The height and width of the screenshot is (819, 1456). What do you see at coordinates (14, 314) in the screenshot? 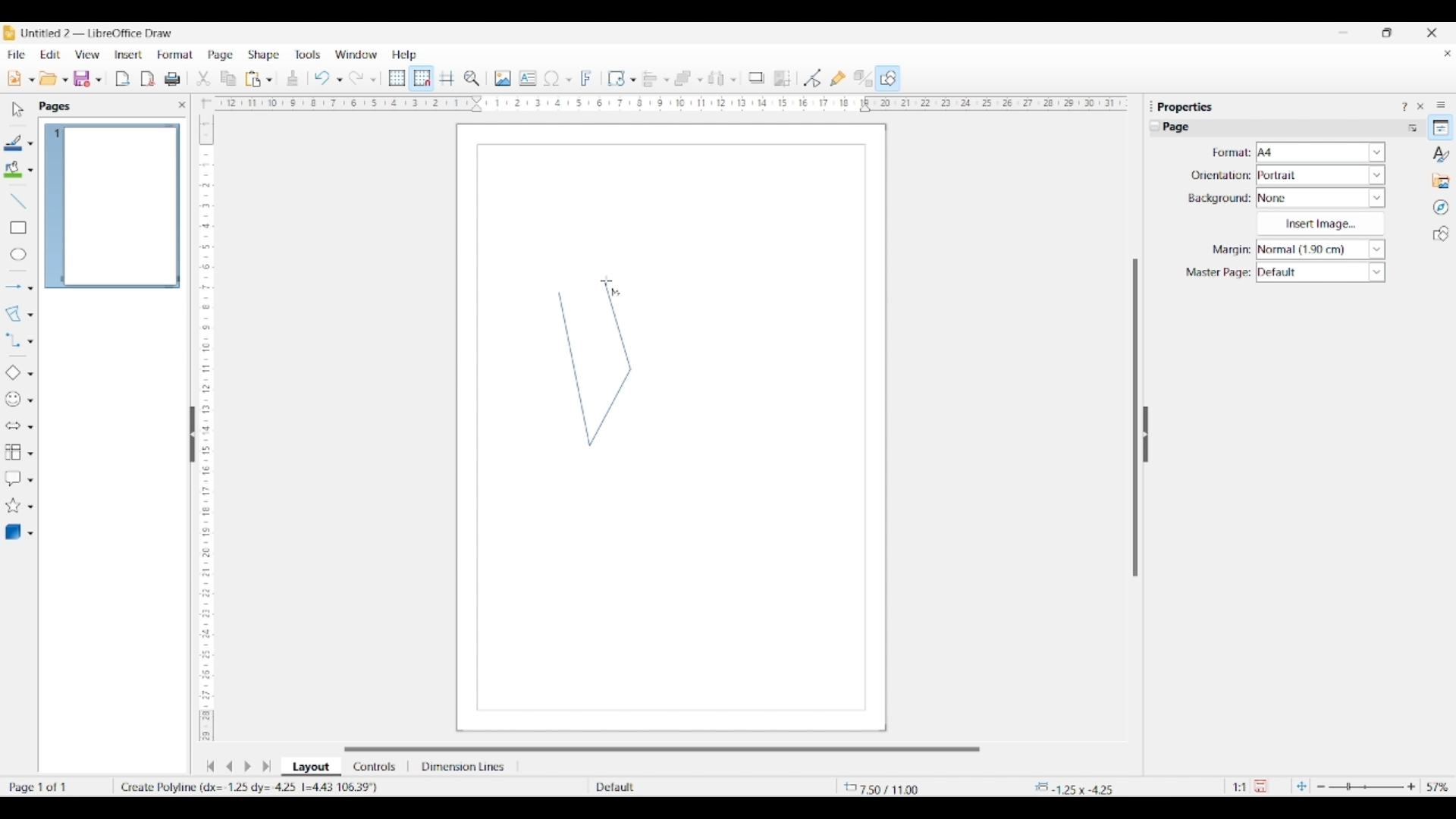
I see `Selected polygon` at bounding box center [14, 314].